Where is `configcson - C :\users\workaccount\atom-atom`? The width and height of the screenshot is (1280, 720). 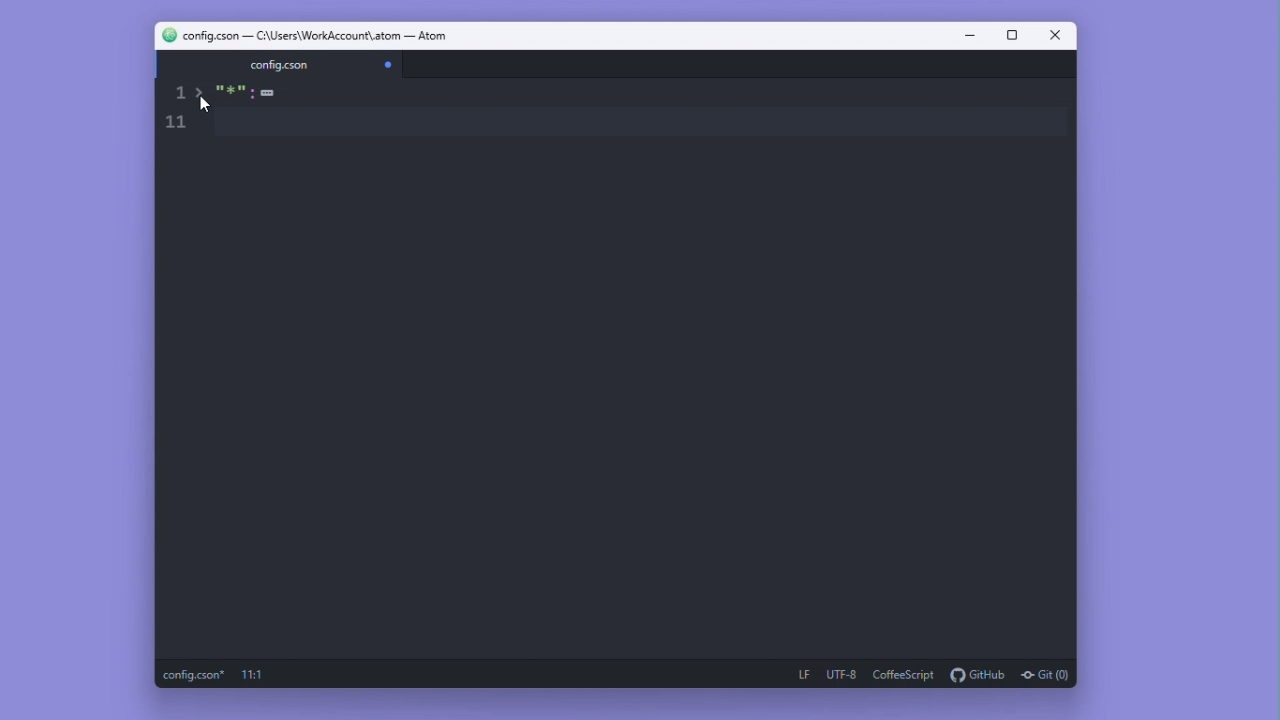
configcson - C :\users\workaccount\atom-atom is located at coordinates (327, 37).